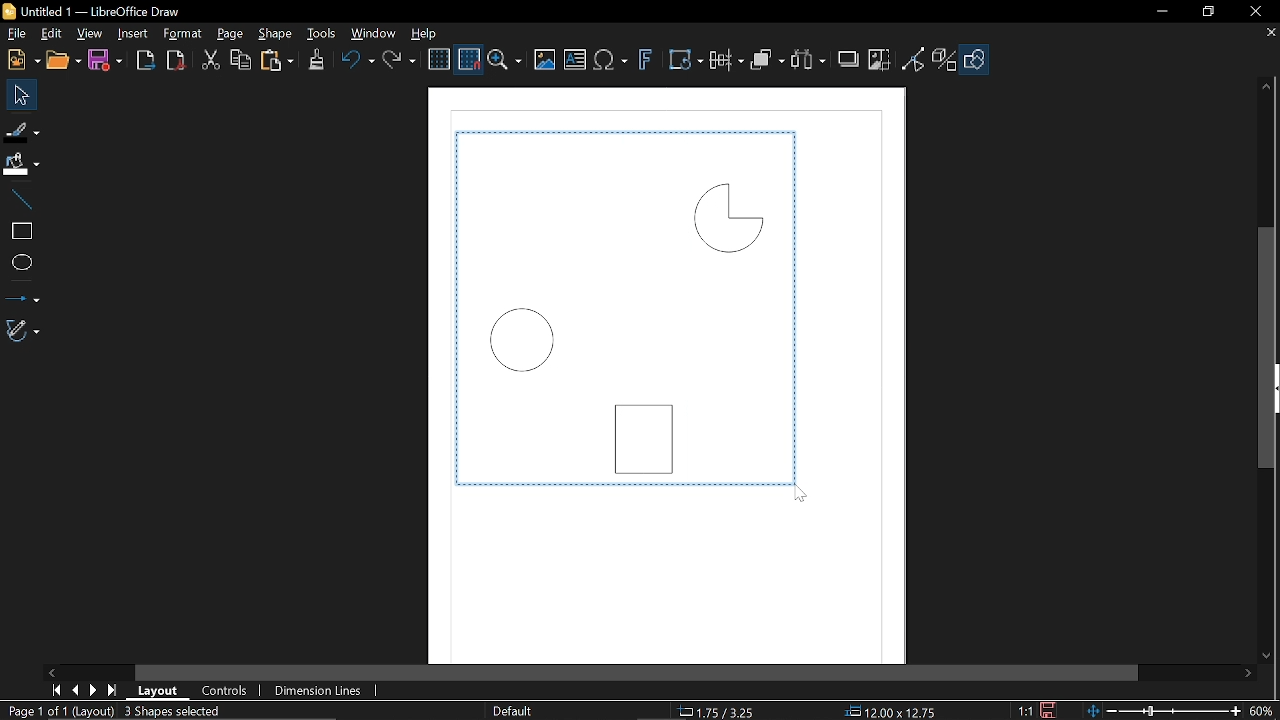 The height and width of the screenshot is (720, 1280). I want to click on Shadow, so click(848, 61).